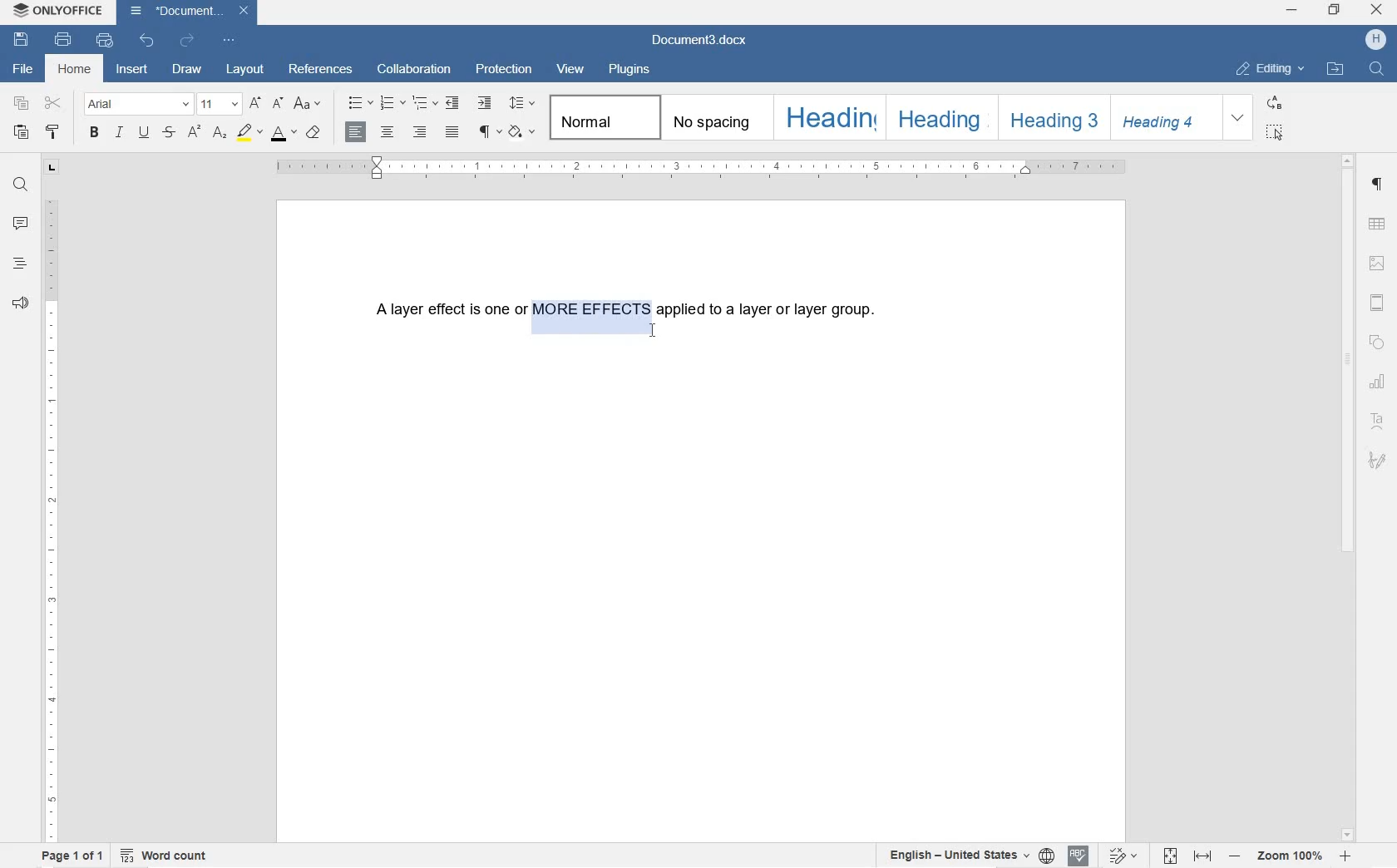 The height and width of the screenshot is (868, 1397). Describe the element at coordinates (19, 265) in the screenshot. I see `HEADINGS` at that location.